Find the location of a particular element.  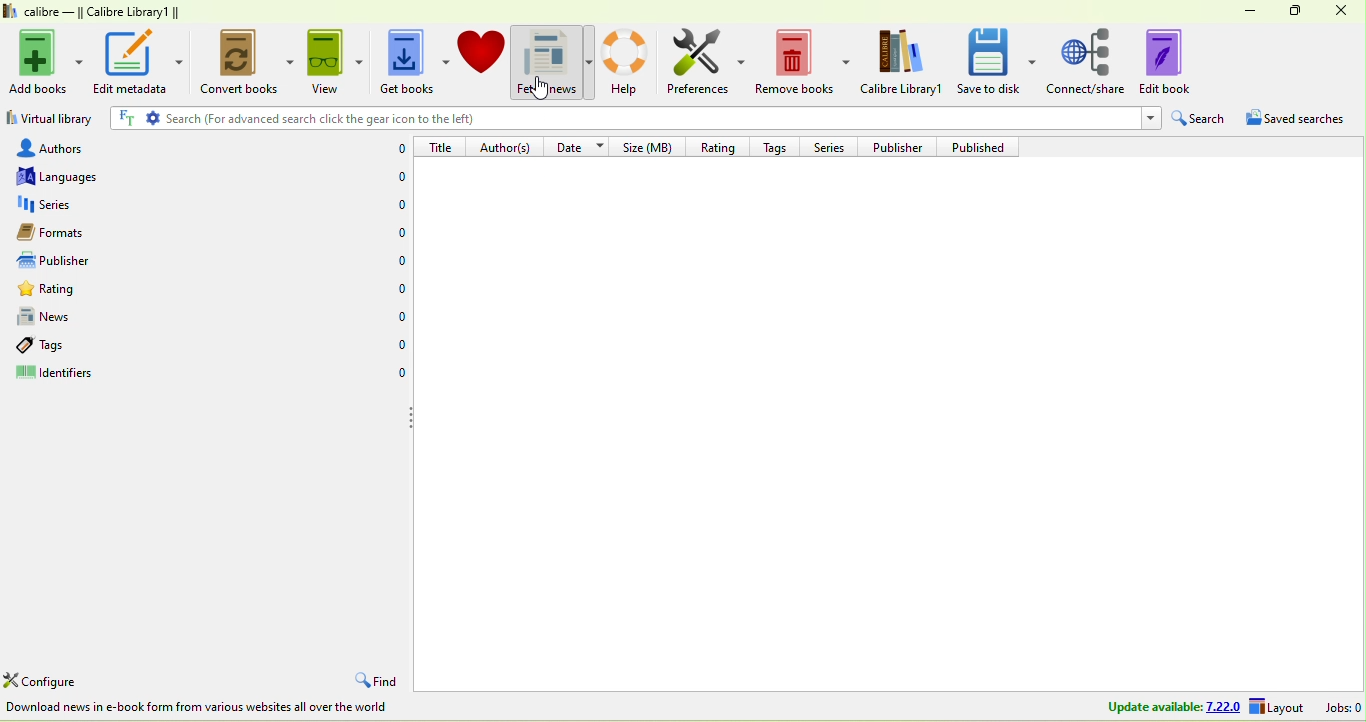

publisher is located at coordinates (902, 146).